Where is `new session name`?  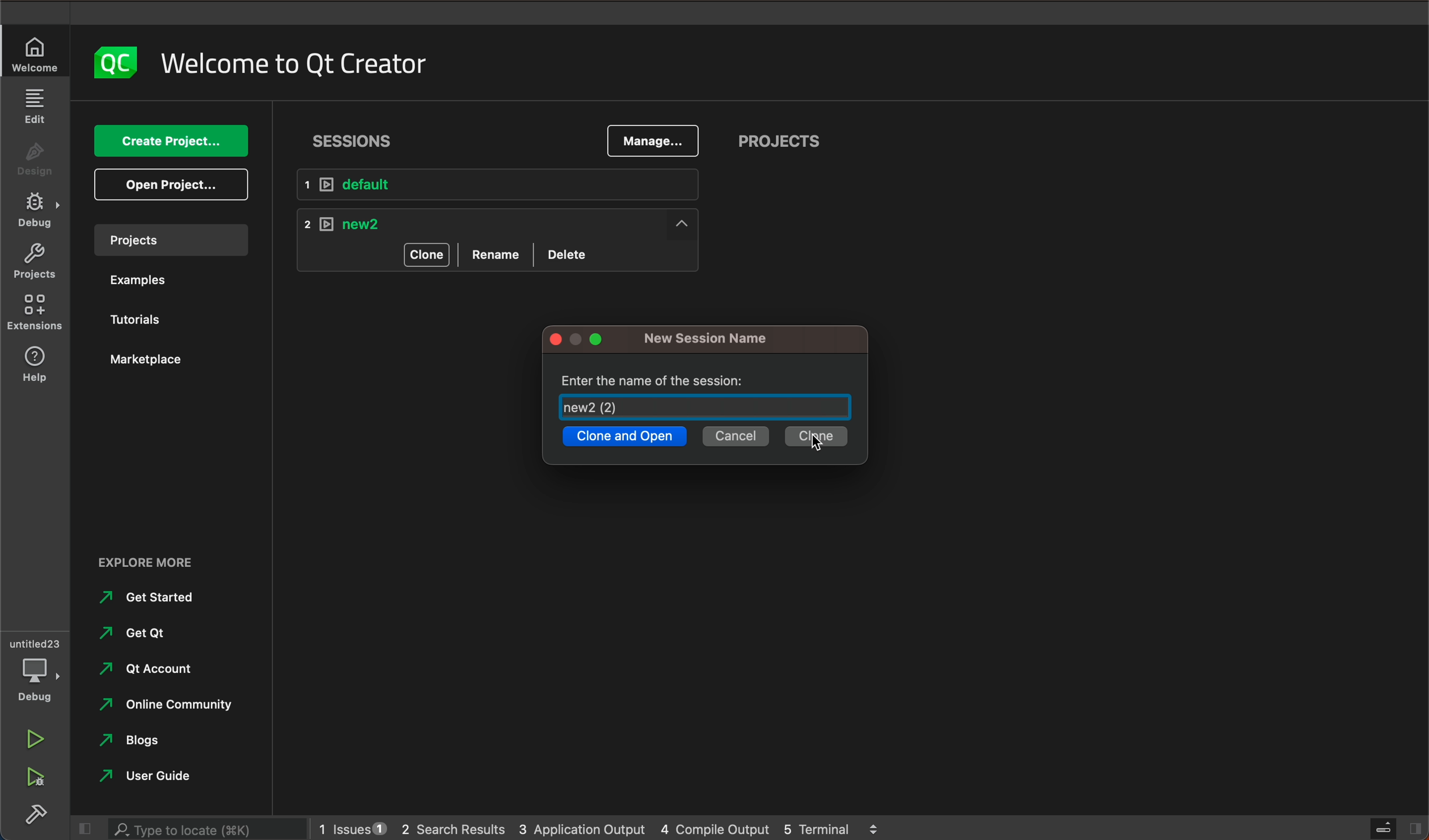
new session name is located at coordinates (718, 338).